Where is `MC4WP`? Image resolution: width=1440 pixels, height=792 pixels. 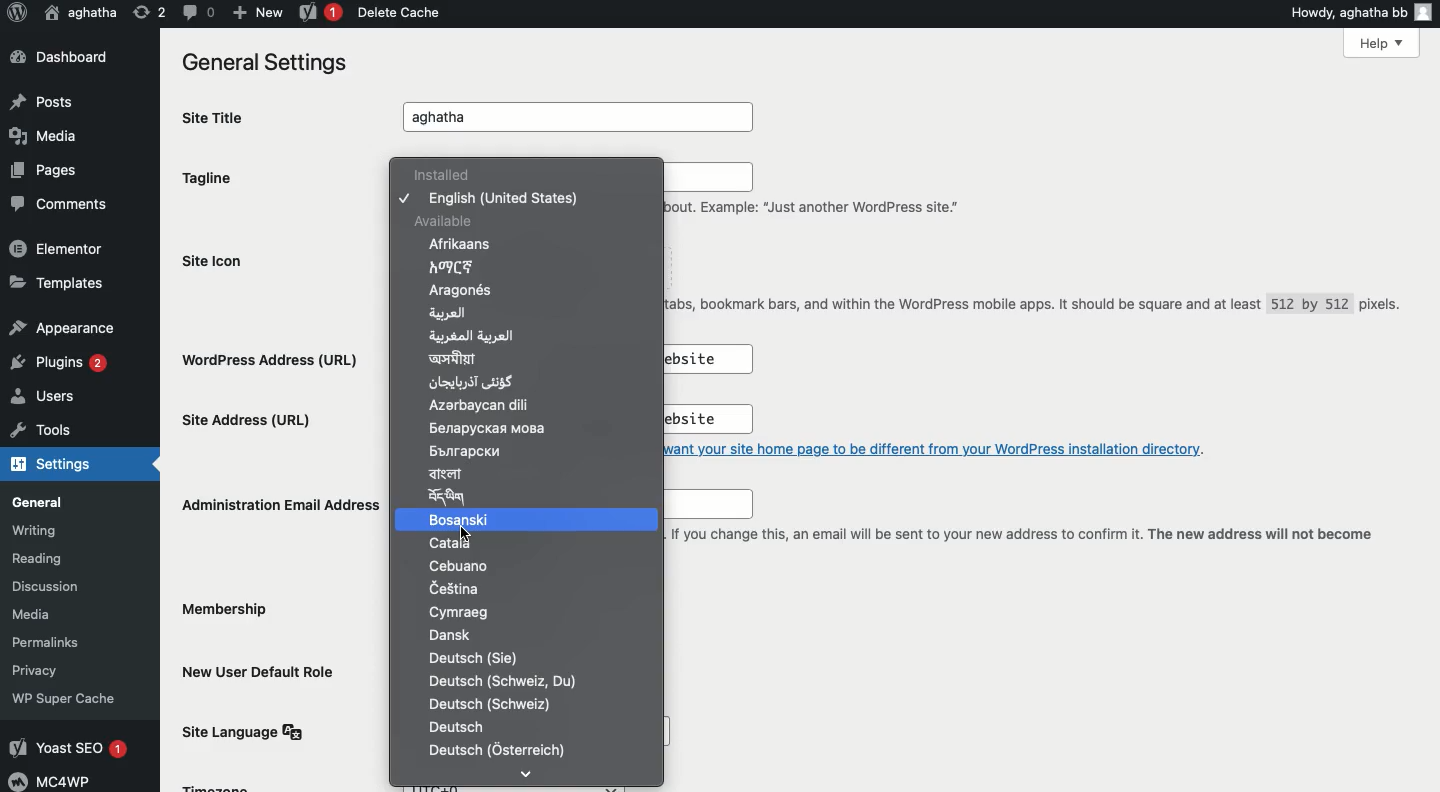
MC4WP is located at coordinates (56, 780).